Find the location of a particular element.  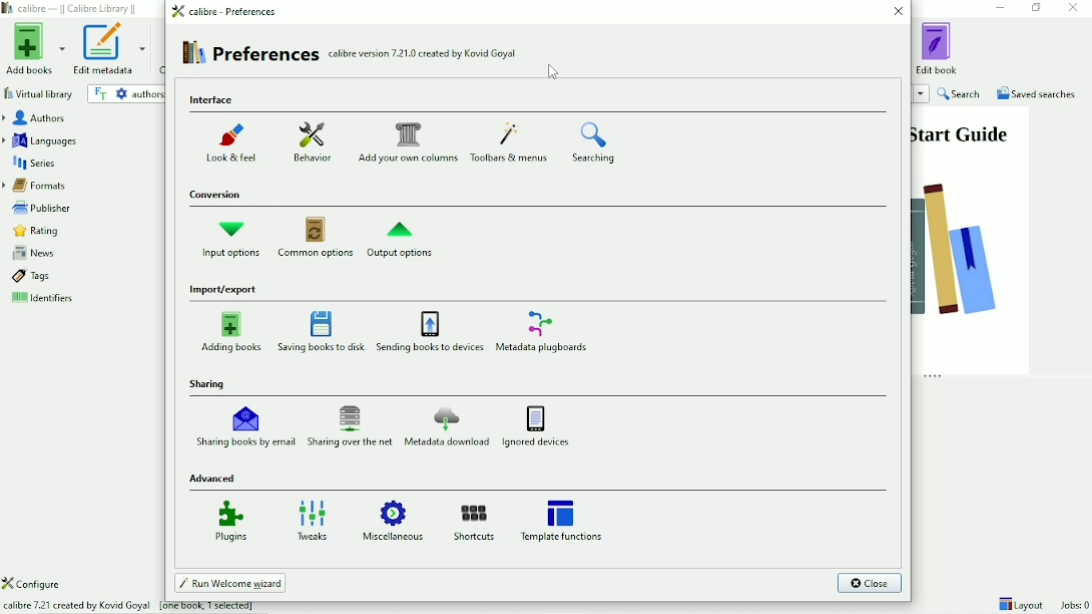

Input options is located at coordinates (233, 239).